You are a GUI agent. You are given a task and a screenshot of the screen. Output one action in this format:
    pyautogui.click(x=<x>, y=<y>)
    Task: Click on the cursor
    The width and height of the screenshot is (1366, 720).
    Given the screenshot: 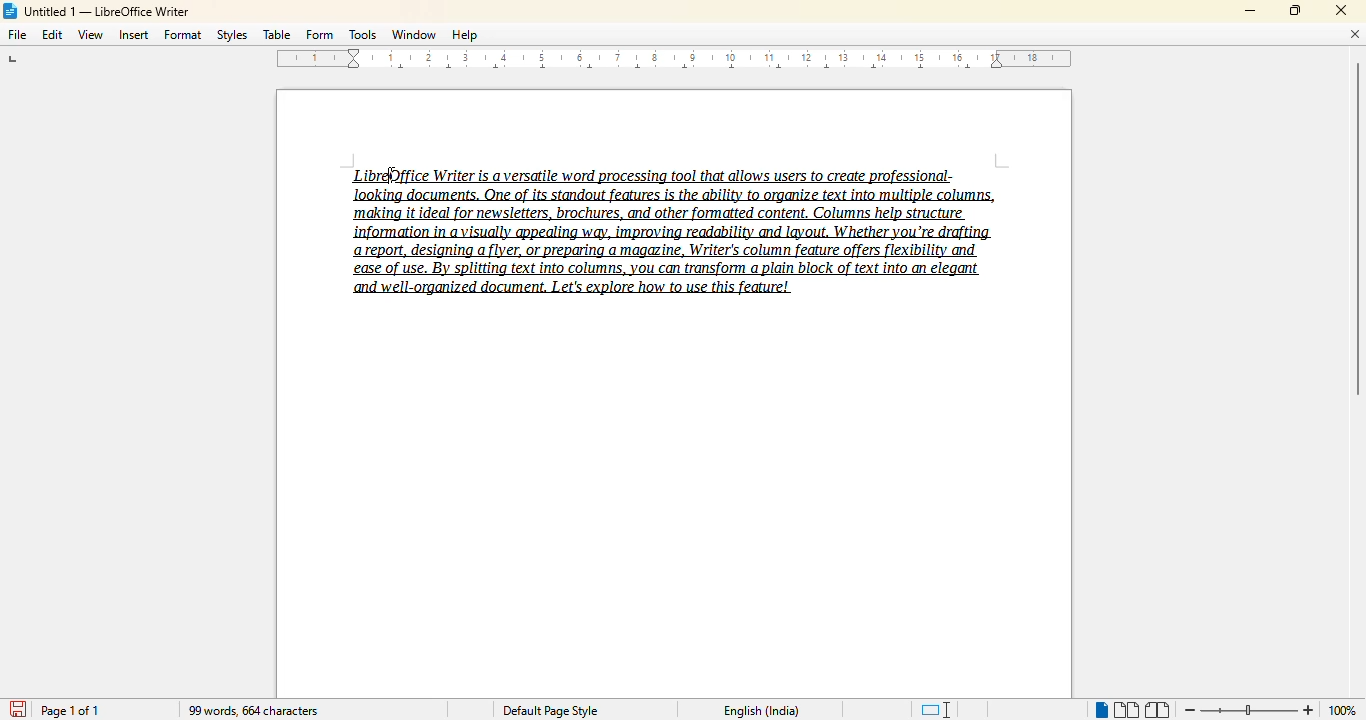 What is the action you would take?
    pyautogui.click(x=391, y=173)
    